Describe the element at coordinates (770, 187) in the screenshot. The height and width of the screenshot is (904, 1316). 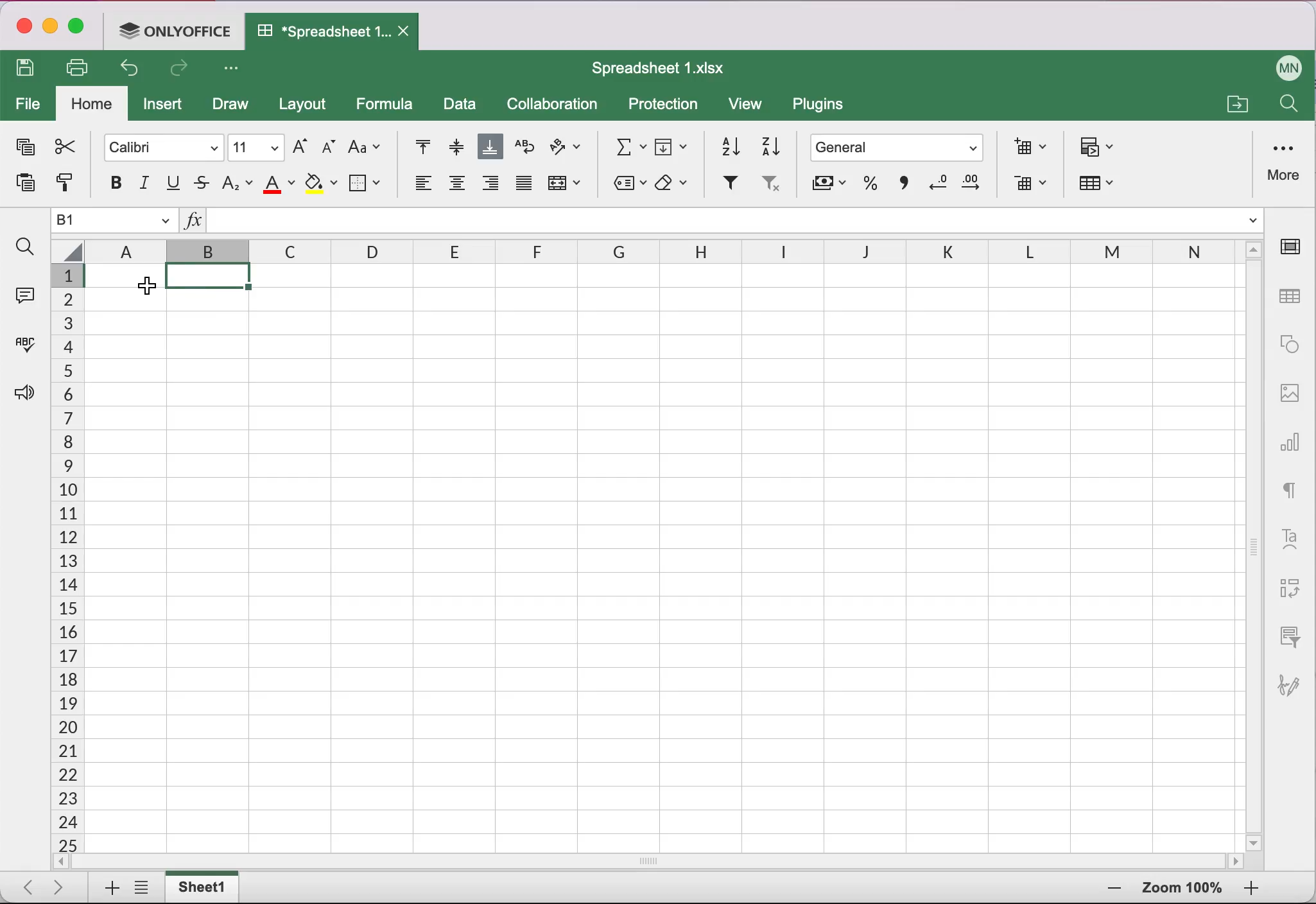
I see `remove filter` at that location.